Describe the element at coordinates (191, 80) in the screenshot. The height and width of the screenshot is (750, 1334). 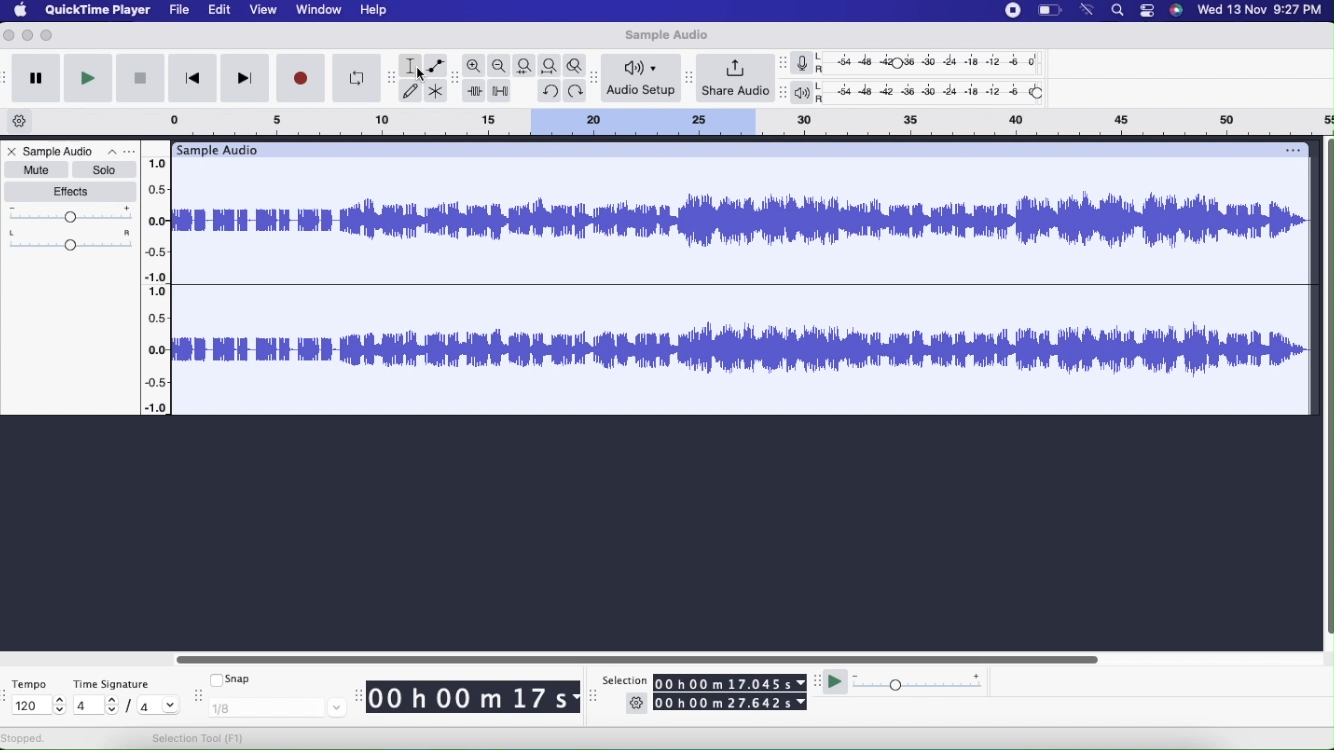
I see `Skip to start` at that location.